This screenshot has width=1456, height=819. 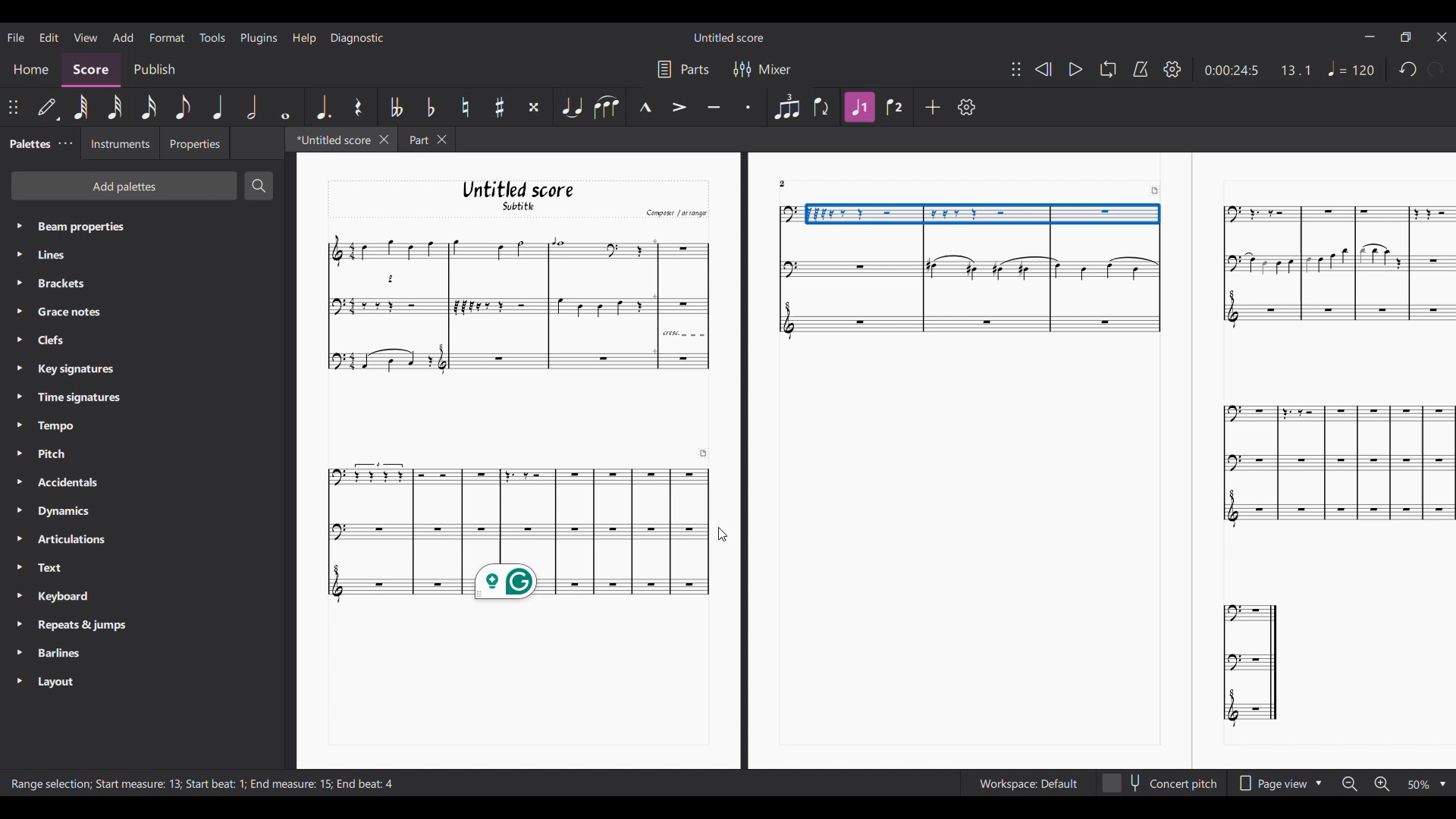 I want to click on > Beam properties, so click(x=72, y=226).